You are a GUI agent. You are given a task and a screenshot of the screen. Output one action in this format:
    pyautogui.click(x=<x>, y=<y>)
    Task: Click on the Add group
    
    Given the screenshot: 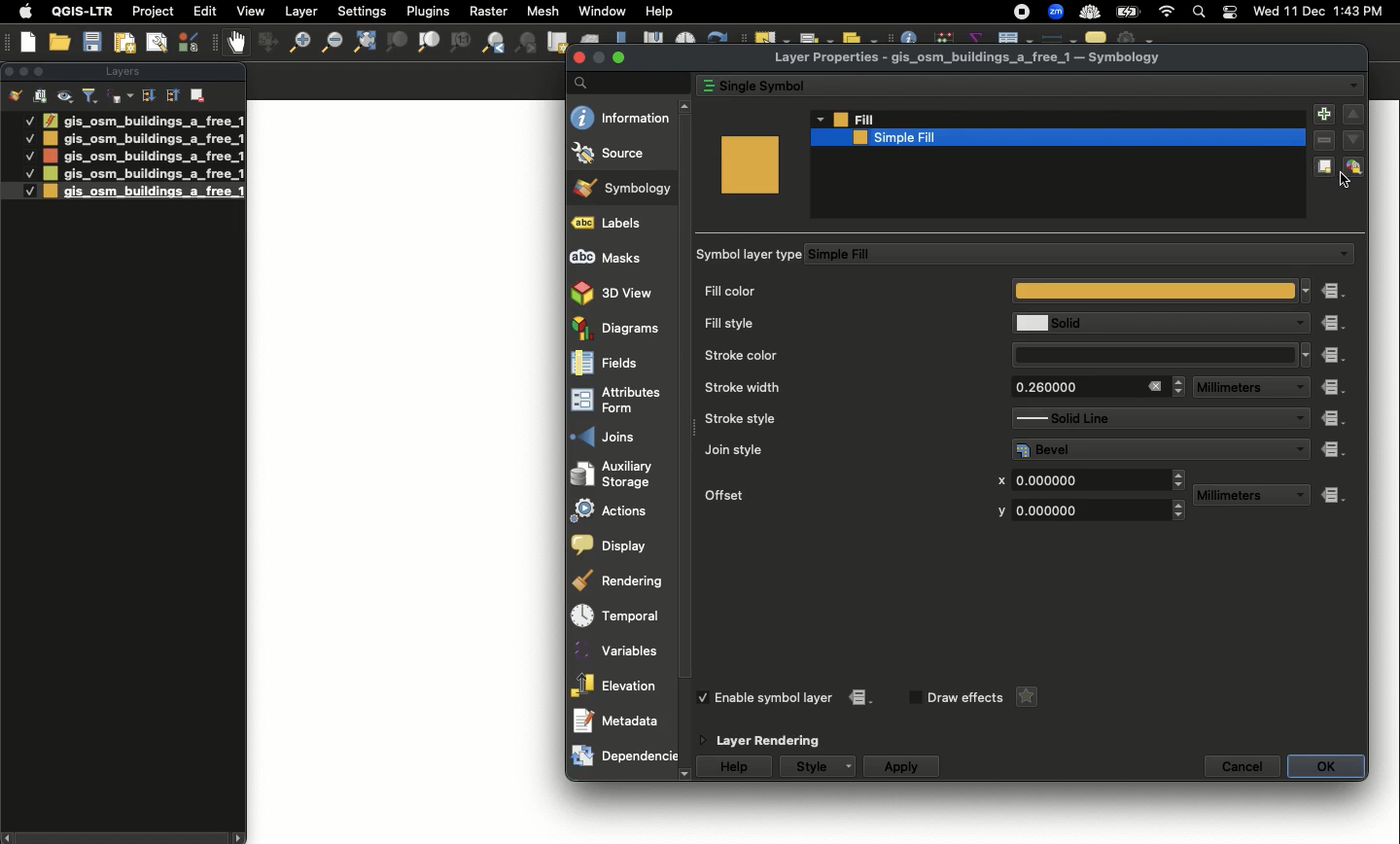 What is the action you would take?
    pyautogui.click(x=41, y=95)
    